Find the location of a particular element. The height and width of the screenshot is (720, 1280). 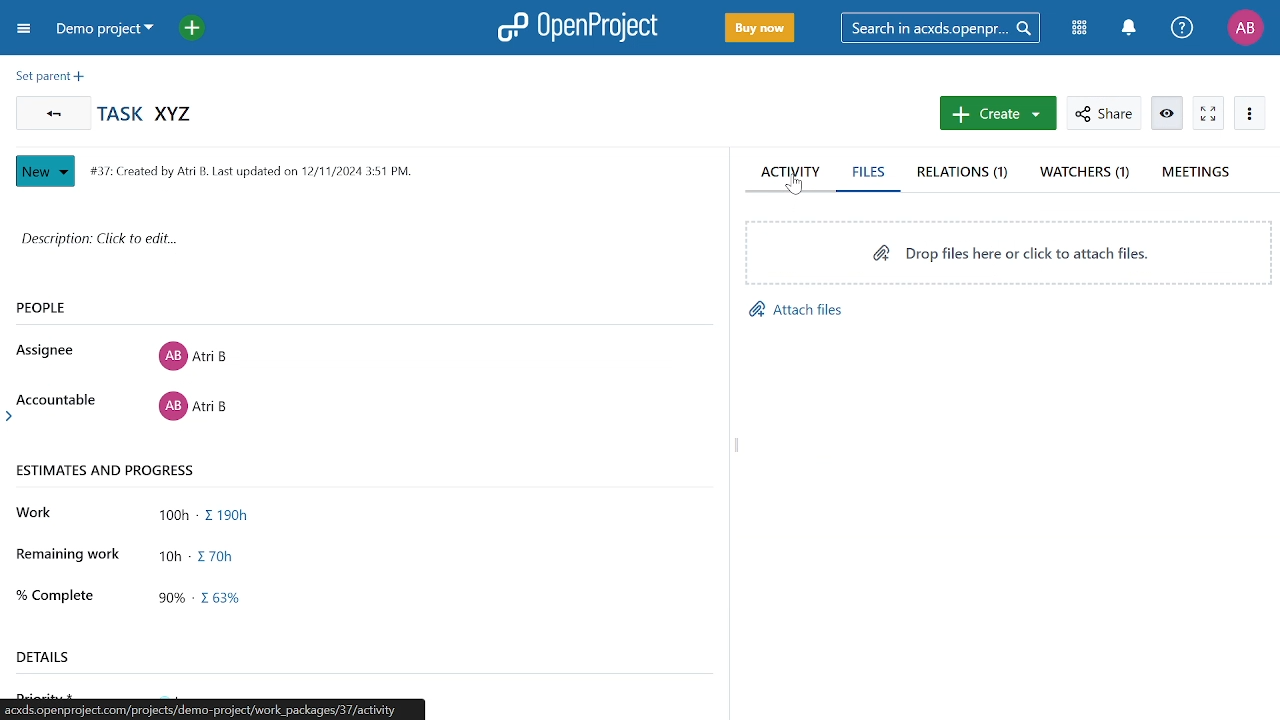

Files is located at coordinates (874, 179).